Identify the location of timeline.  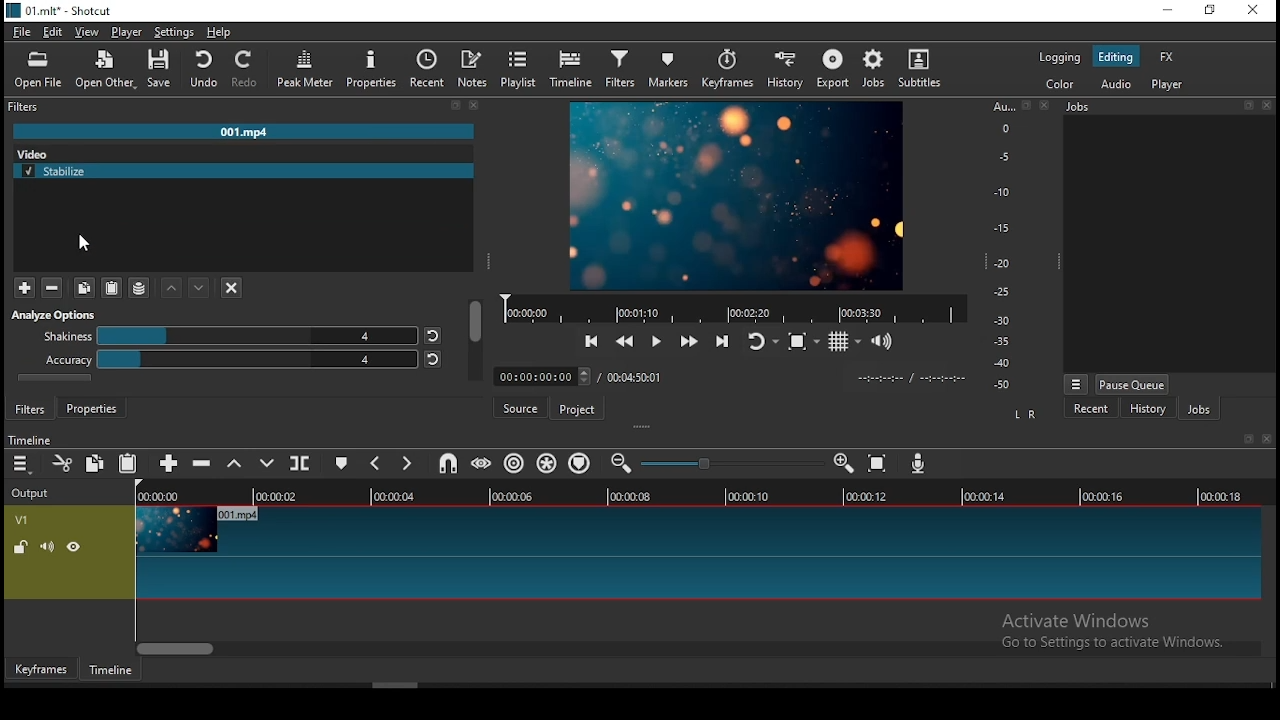
(571, 68).